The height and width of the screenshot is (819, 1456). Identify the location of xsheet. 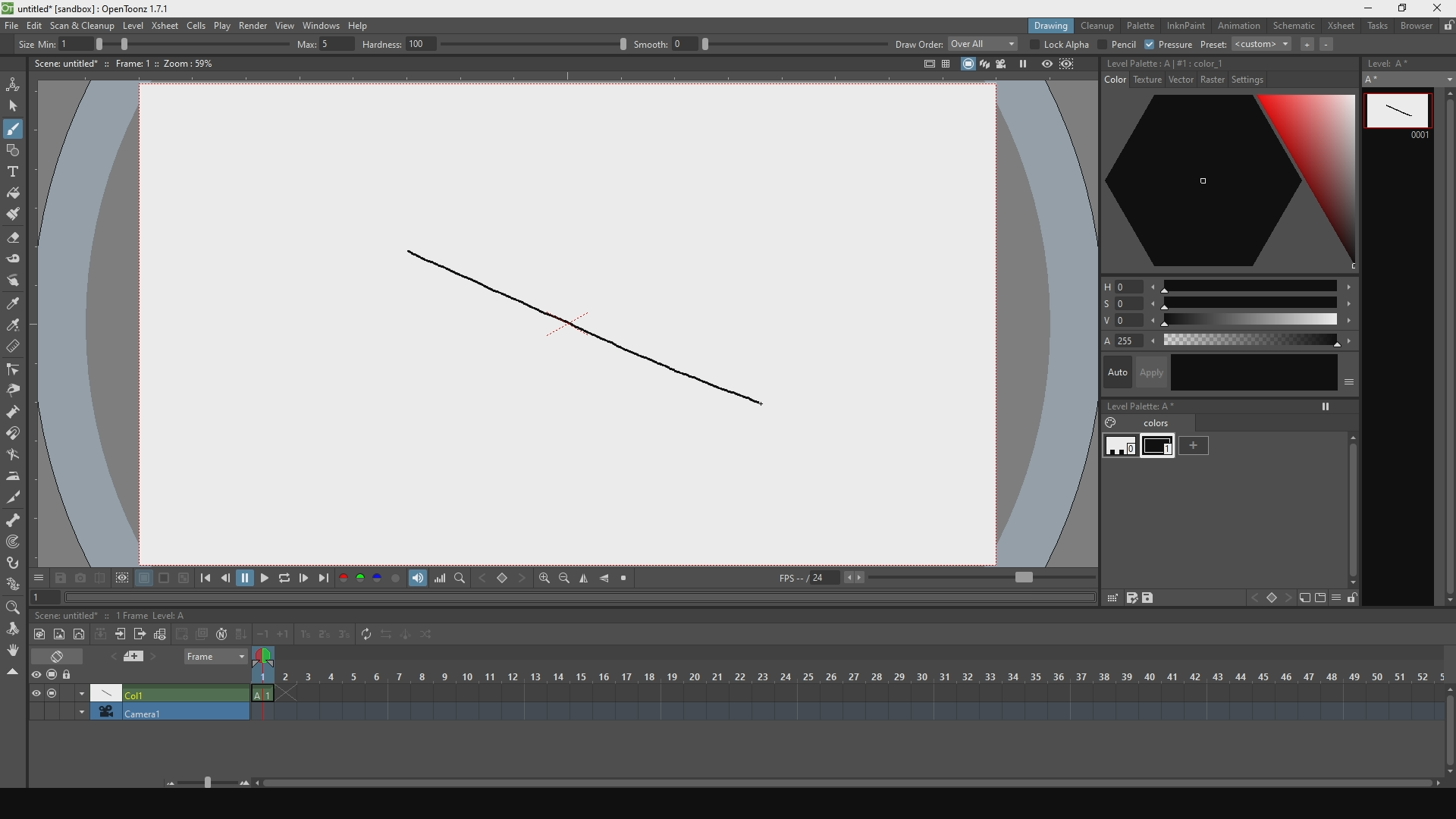
(1342, 27).